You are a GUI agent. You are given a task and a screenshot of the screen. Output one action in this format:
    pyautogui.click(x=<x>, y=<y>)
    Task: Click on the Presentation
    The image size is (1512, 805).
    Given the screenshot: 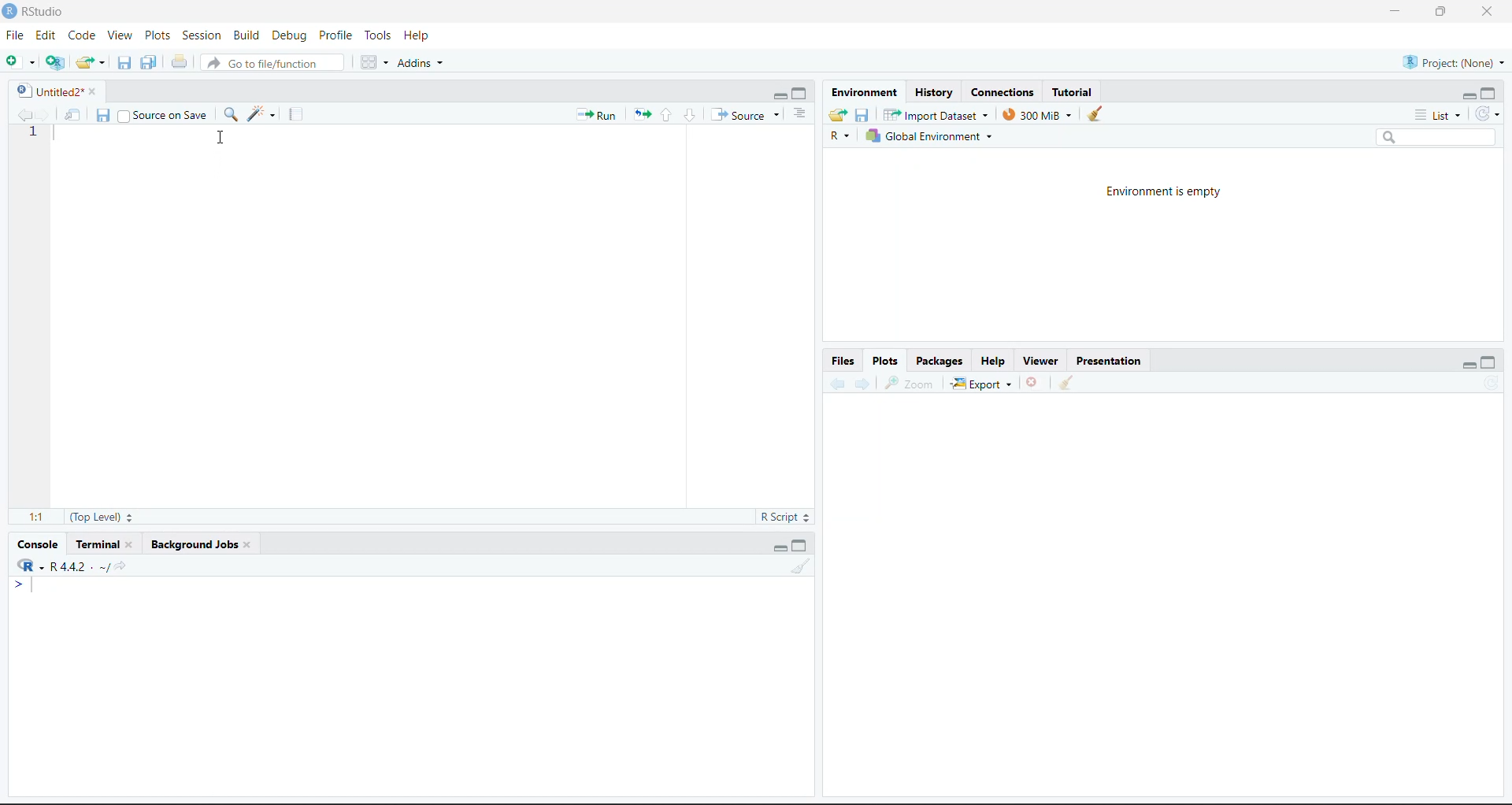 What is the action you would take?
    pyautogui.click(x=1112, y=362)
    